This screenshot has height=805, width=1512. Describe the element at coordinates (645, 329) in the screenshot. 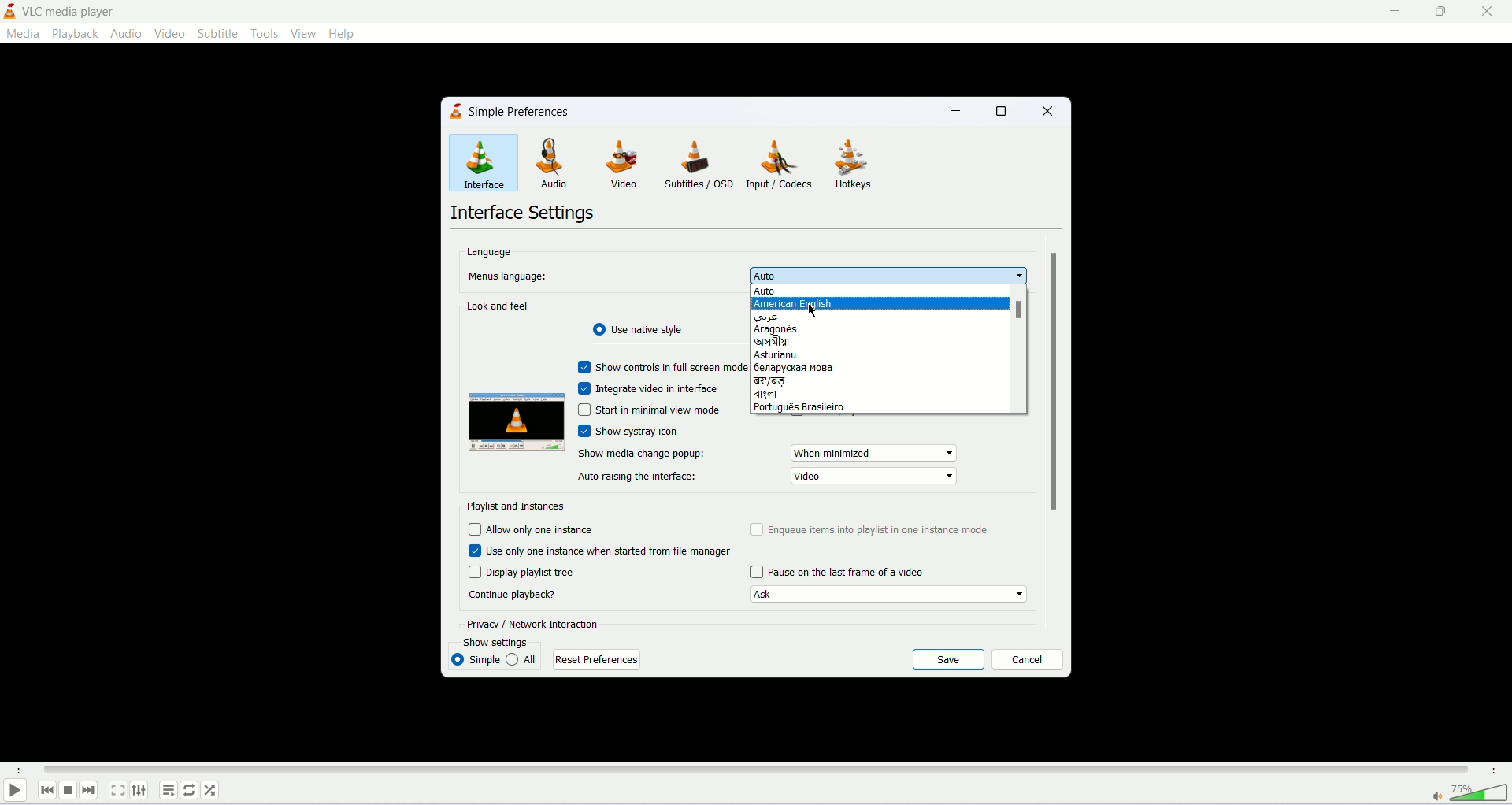

I see `use native style` at that location.